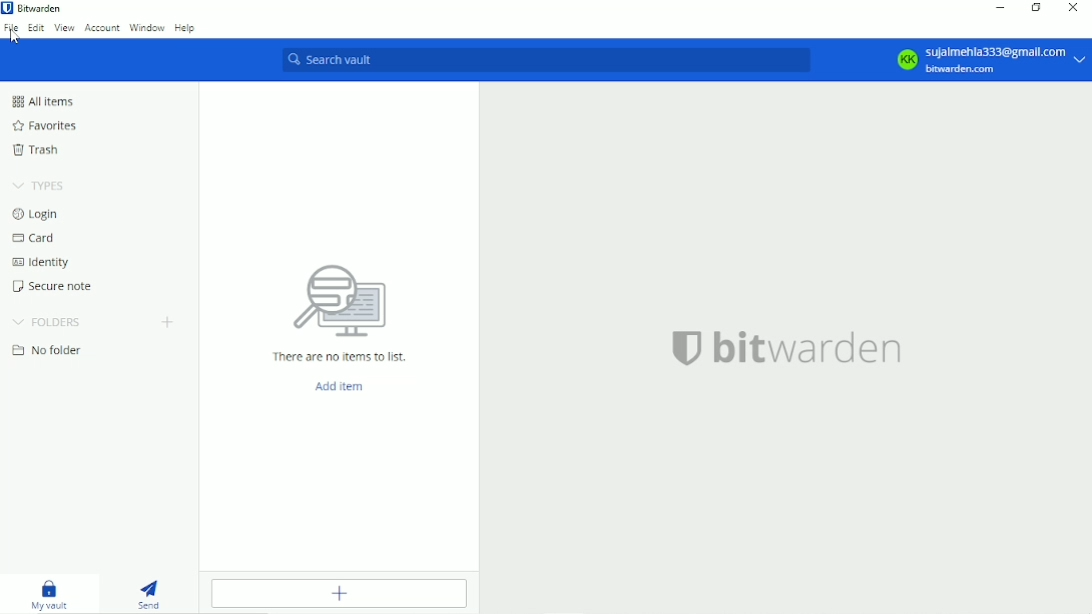  What do you see at coordinates (43, 262) in the screenshot?
I see `Identity` at bounding box center [43, 262].